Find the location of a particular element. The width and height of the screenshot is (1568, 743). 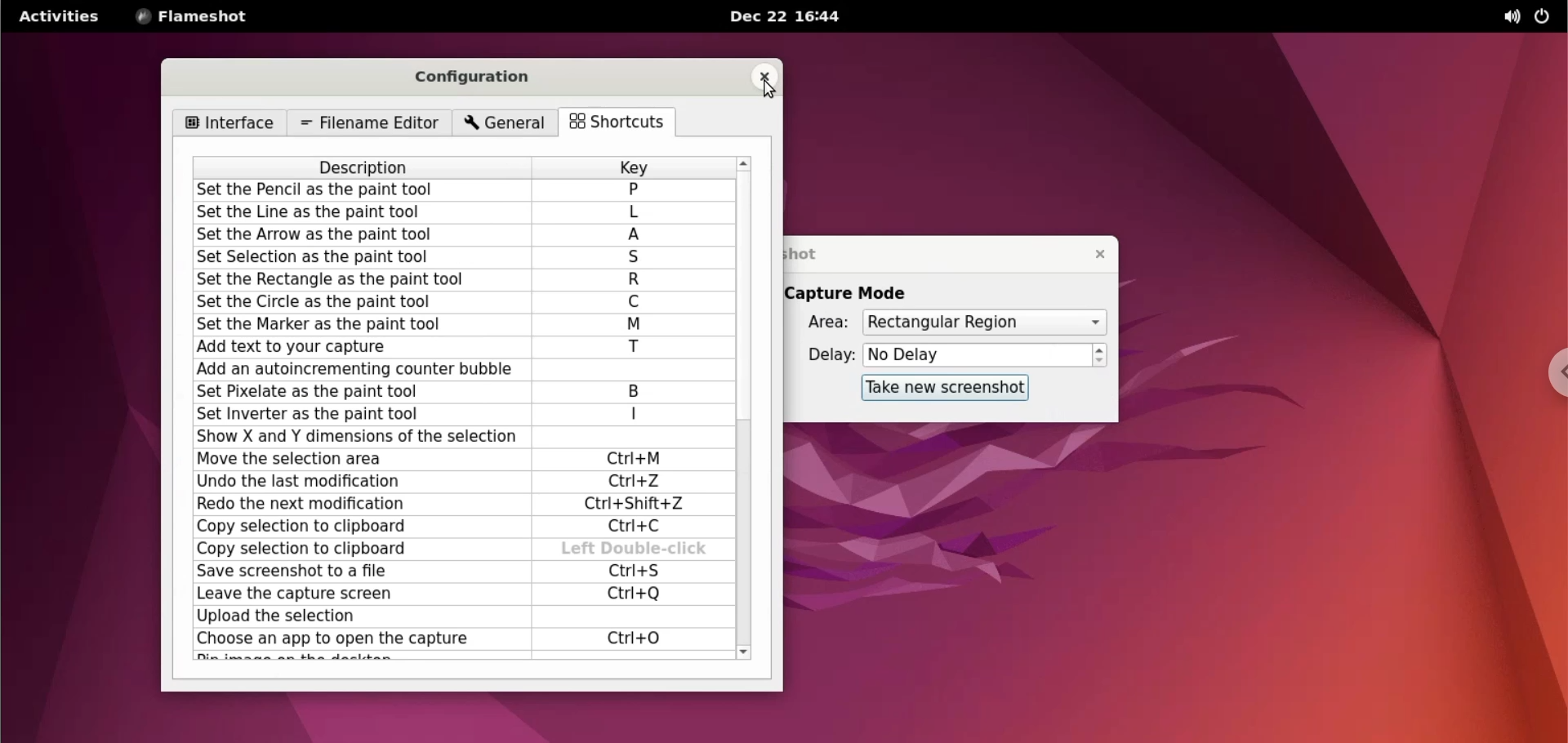

sound options is located at coordinates (1505, 17).